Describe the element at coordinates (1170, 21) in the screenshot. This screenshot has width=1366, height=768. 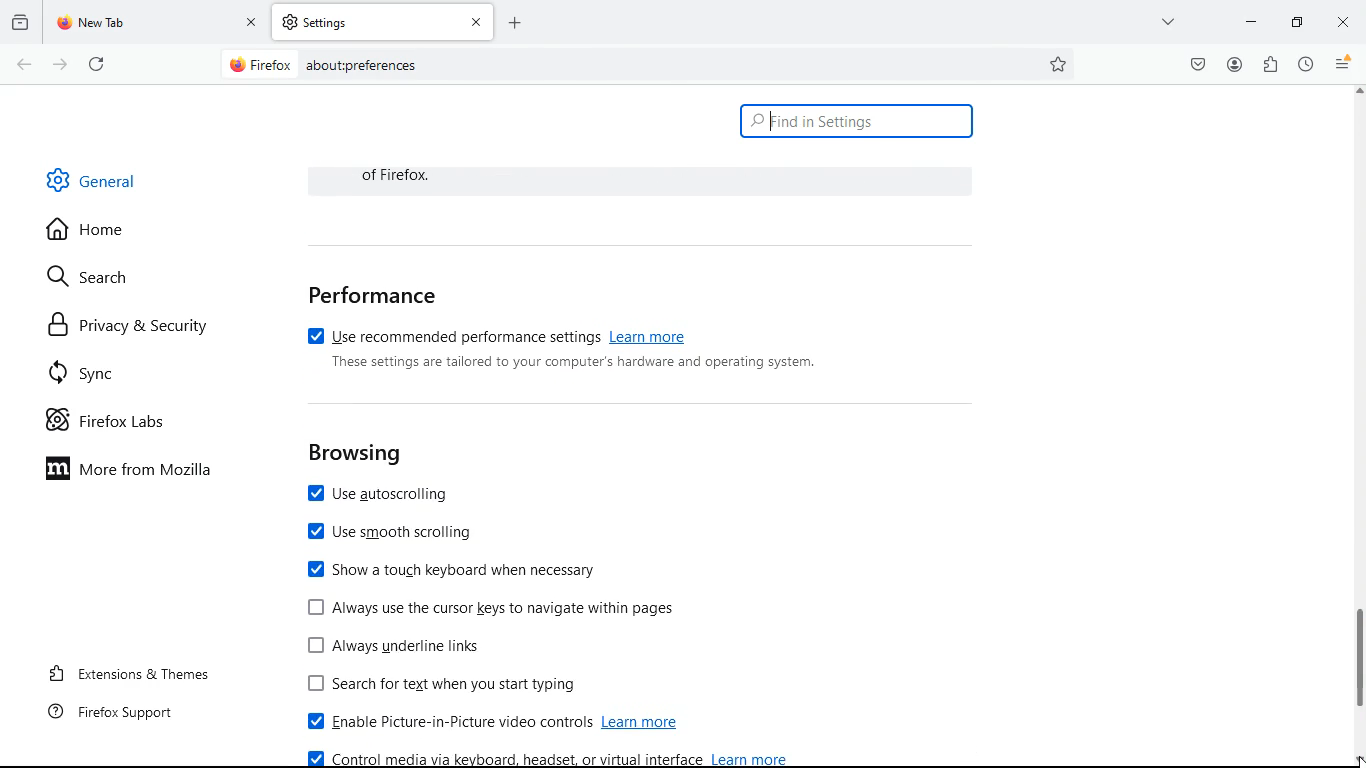
I see `more` at that location.